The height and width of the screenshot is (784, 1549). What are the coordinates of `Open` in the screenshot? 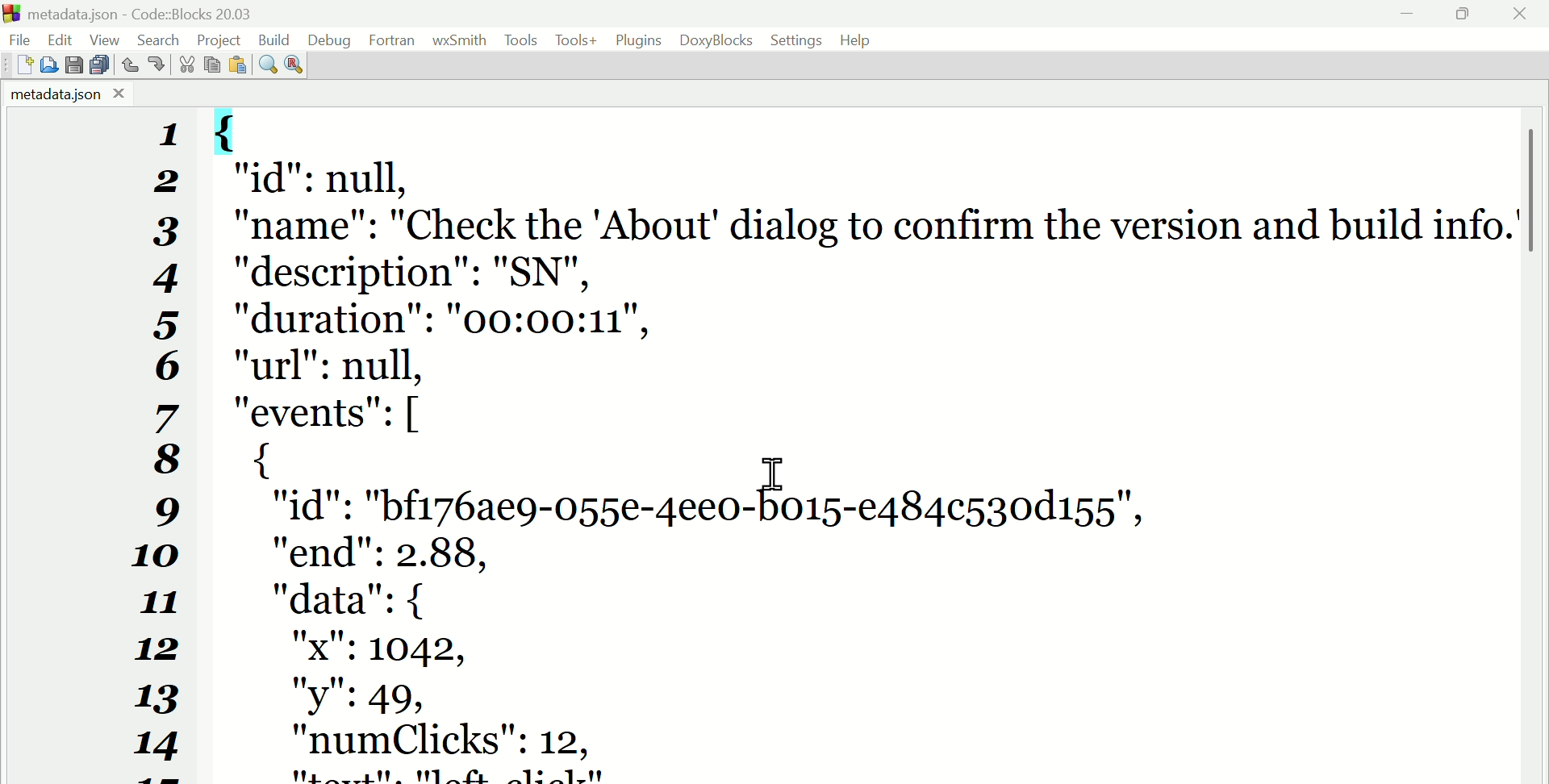 It's located at (52, 63).